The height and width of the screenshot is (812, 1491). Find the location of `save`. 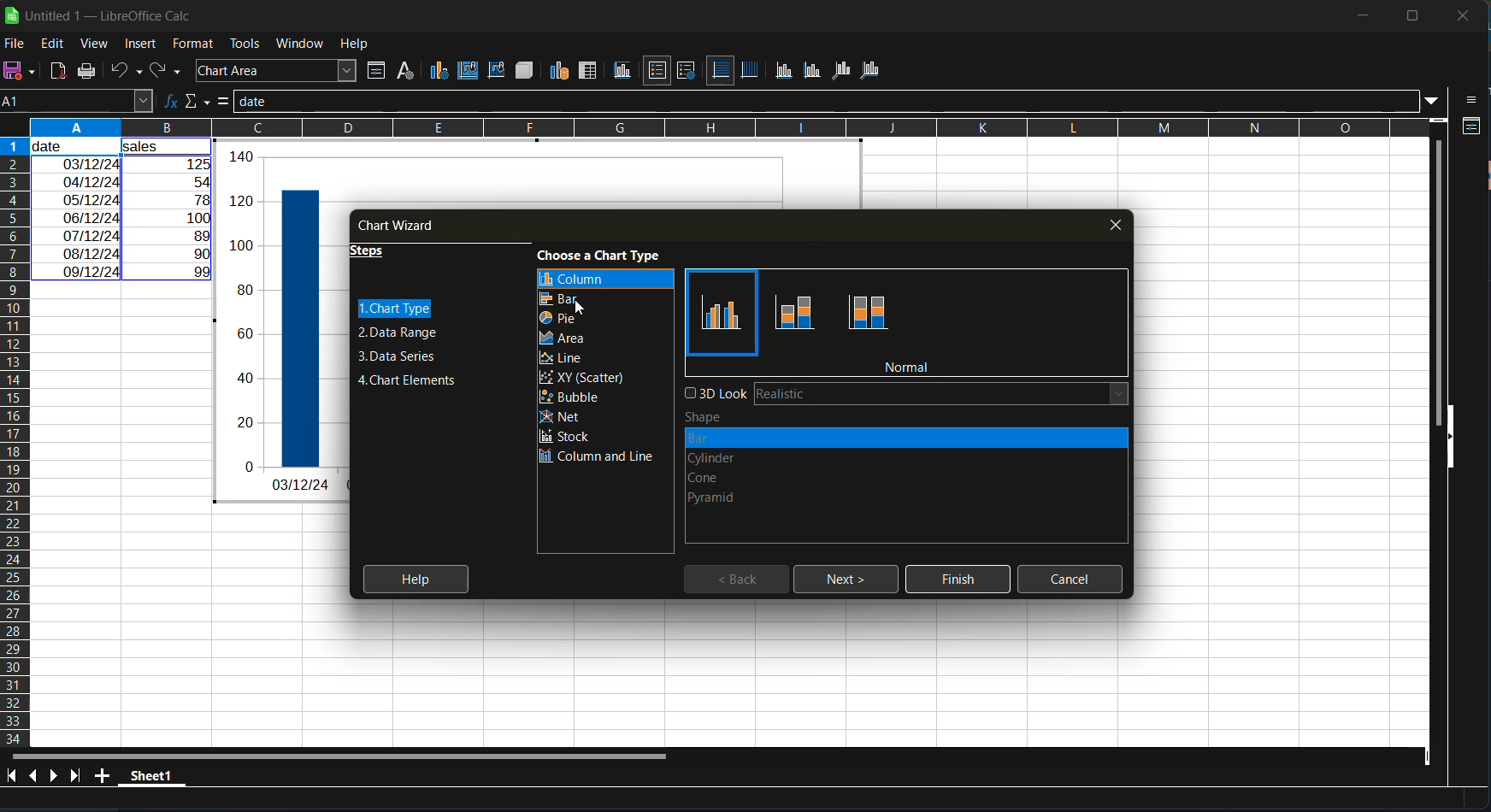

save is located at coordinates (22, 71).